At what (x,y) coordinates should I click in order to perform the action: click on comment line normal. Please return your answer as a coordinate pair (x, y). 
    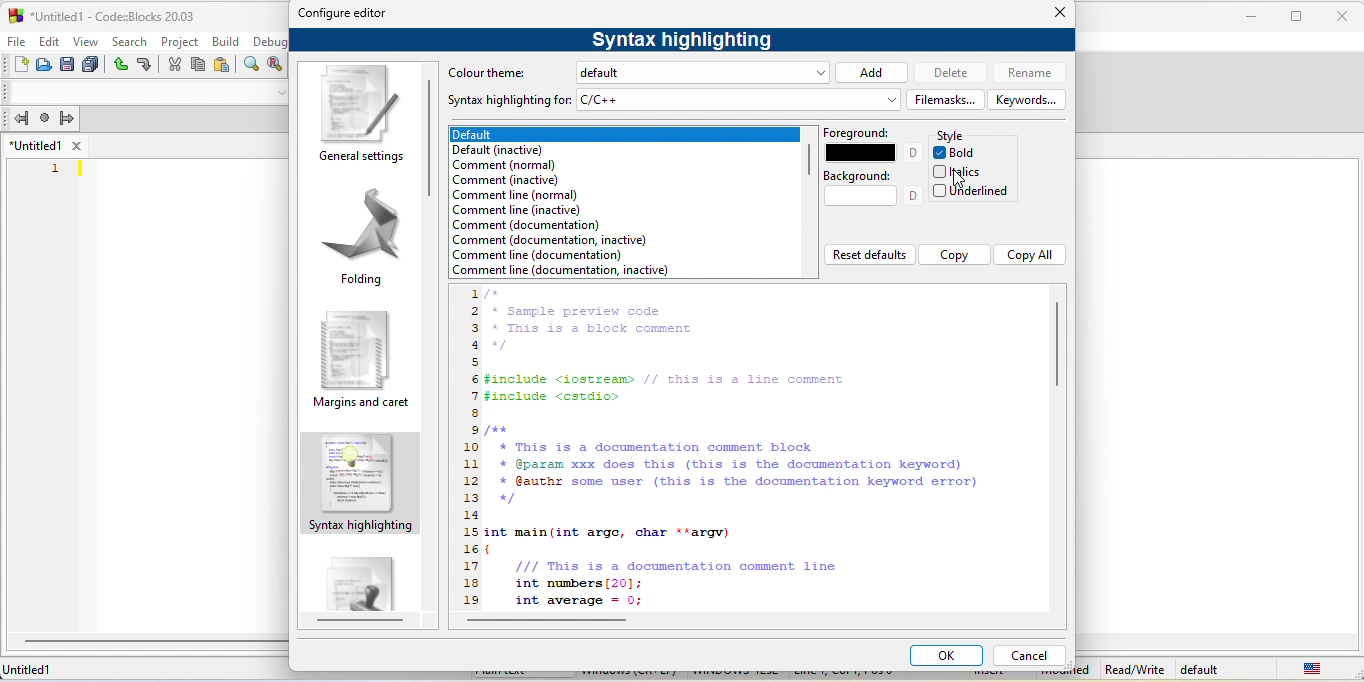
    Looking at the image, I should click on (516, 195).